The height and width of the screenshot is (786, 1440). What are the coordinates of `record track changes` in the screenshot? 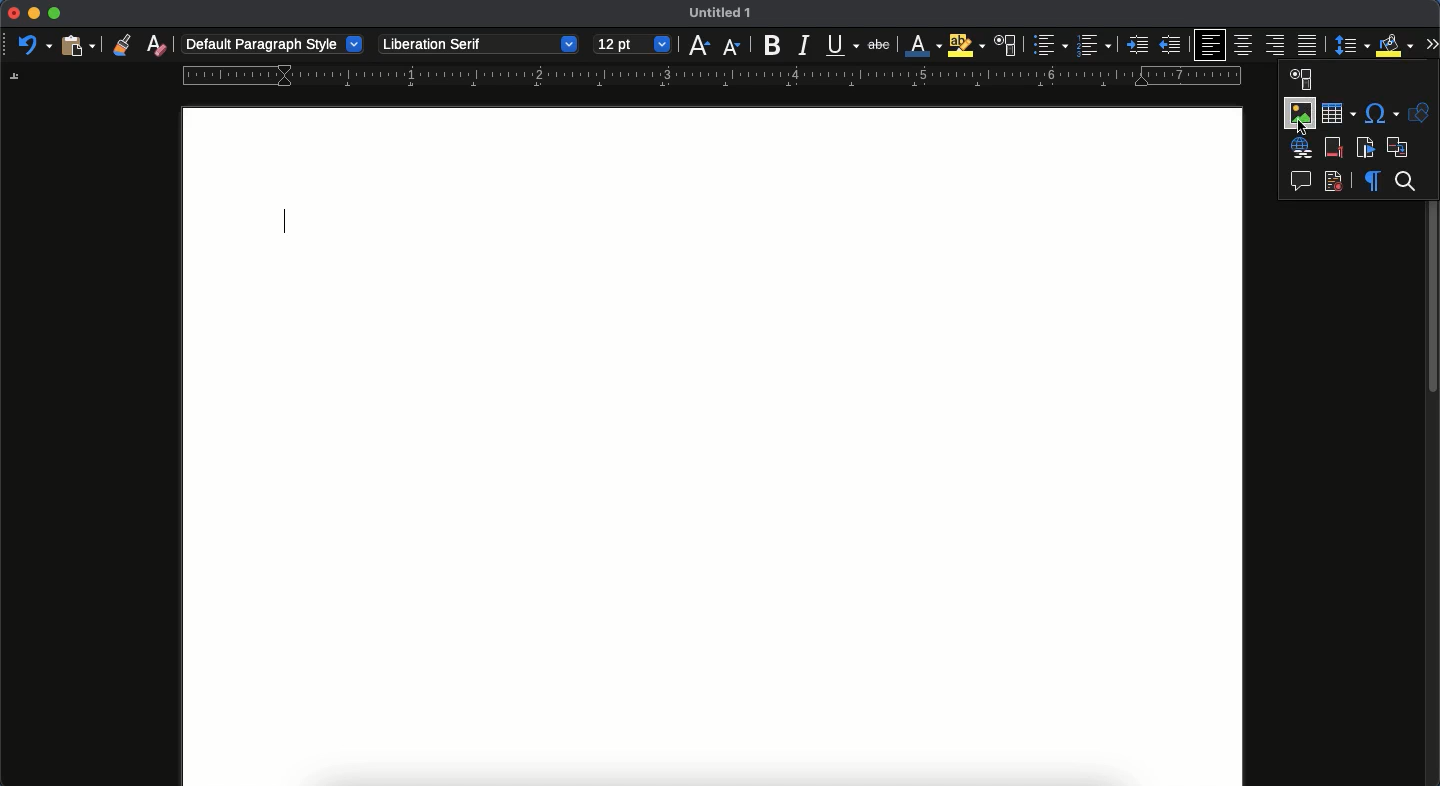 It's located at (1330, 181).